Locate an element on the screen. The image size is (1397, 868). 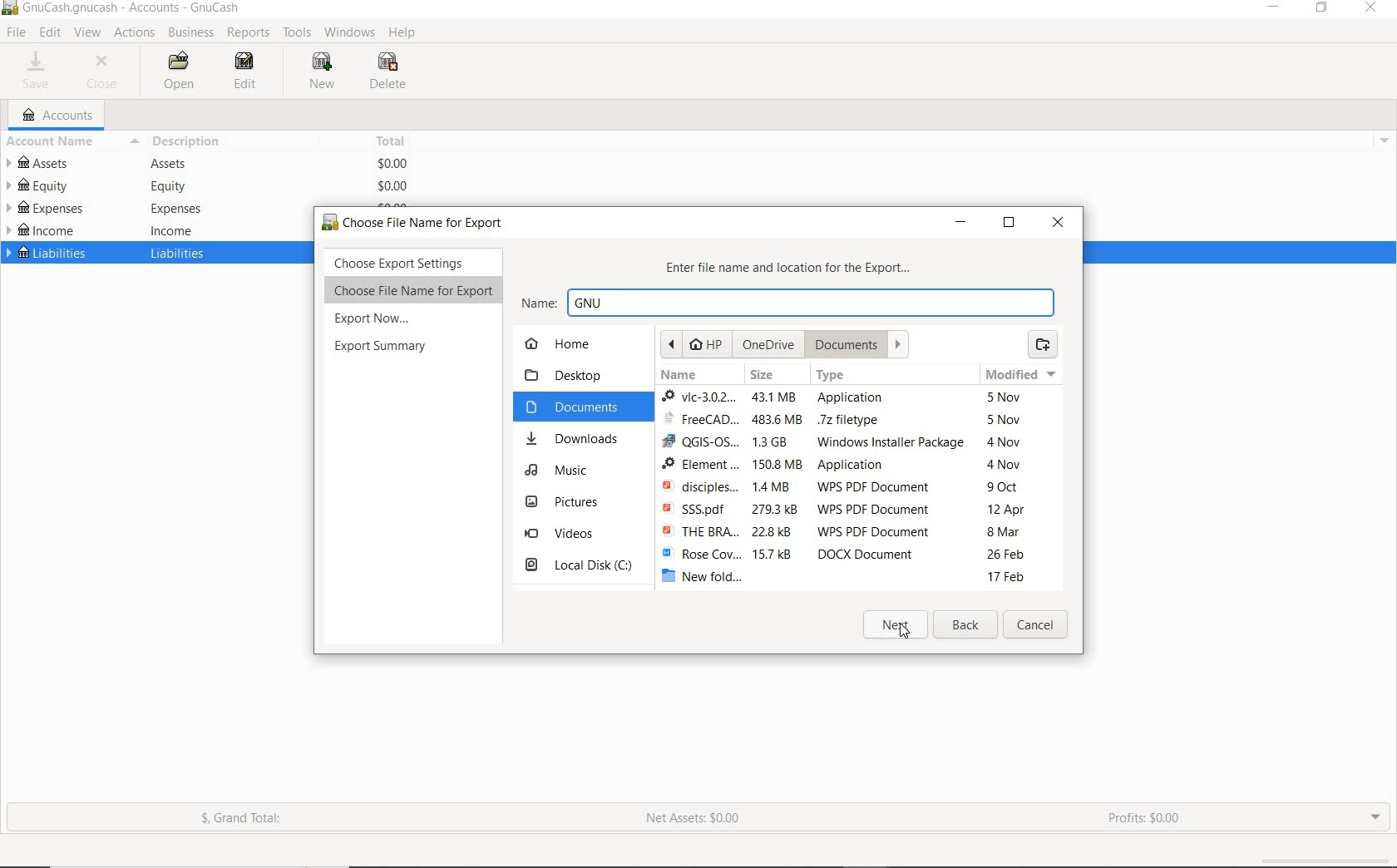
music is located at coordinates (566, 471).